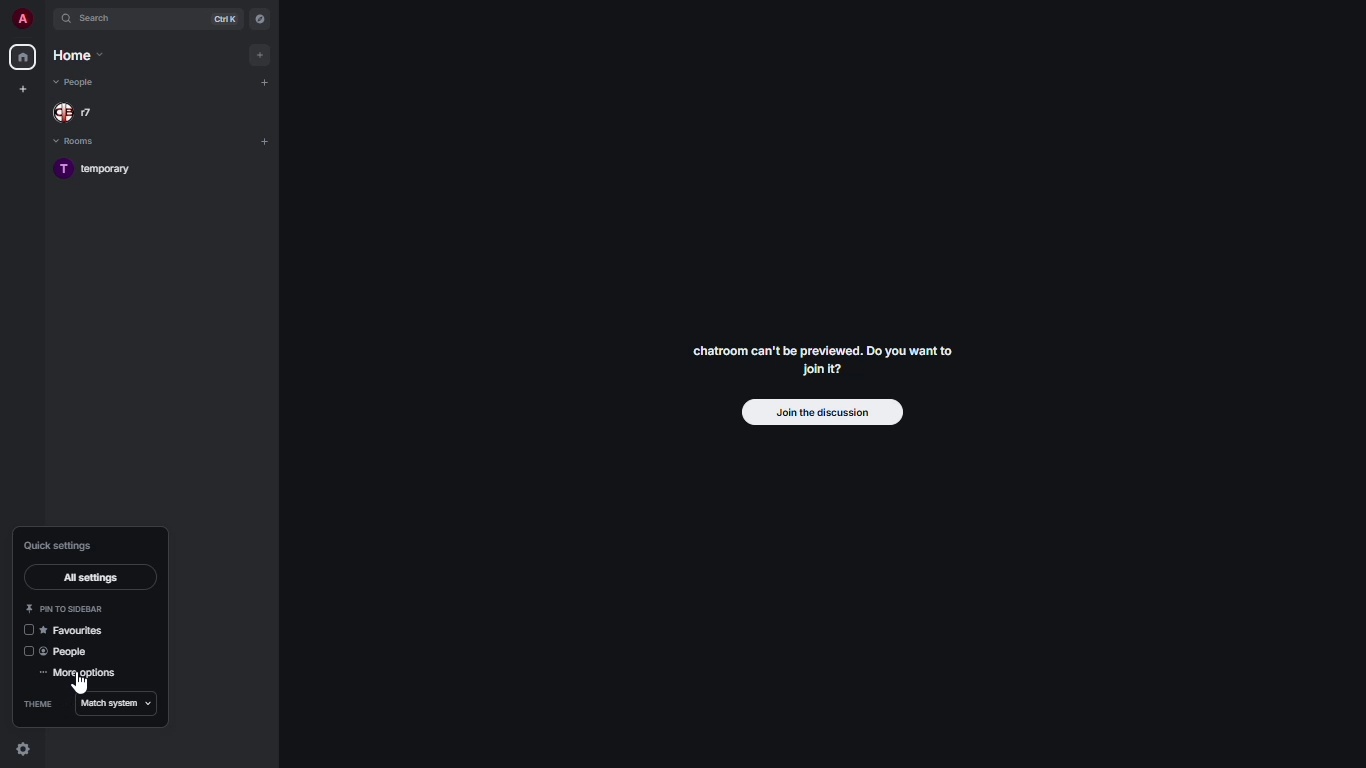  Describe the element at coordinates (102, 171) in the screenshot. I see `room` at that location.